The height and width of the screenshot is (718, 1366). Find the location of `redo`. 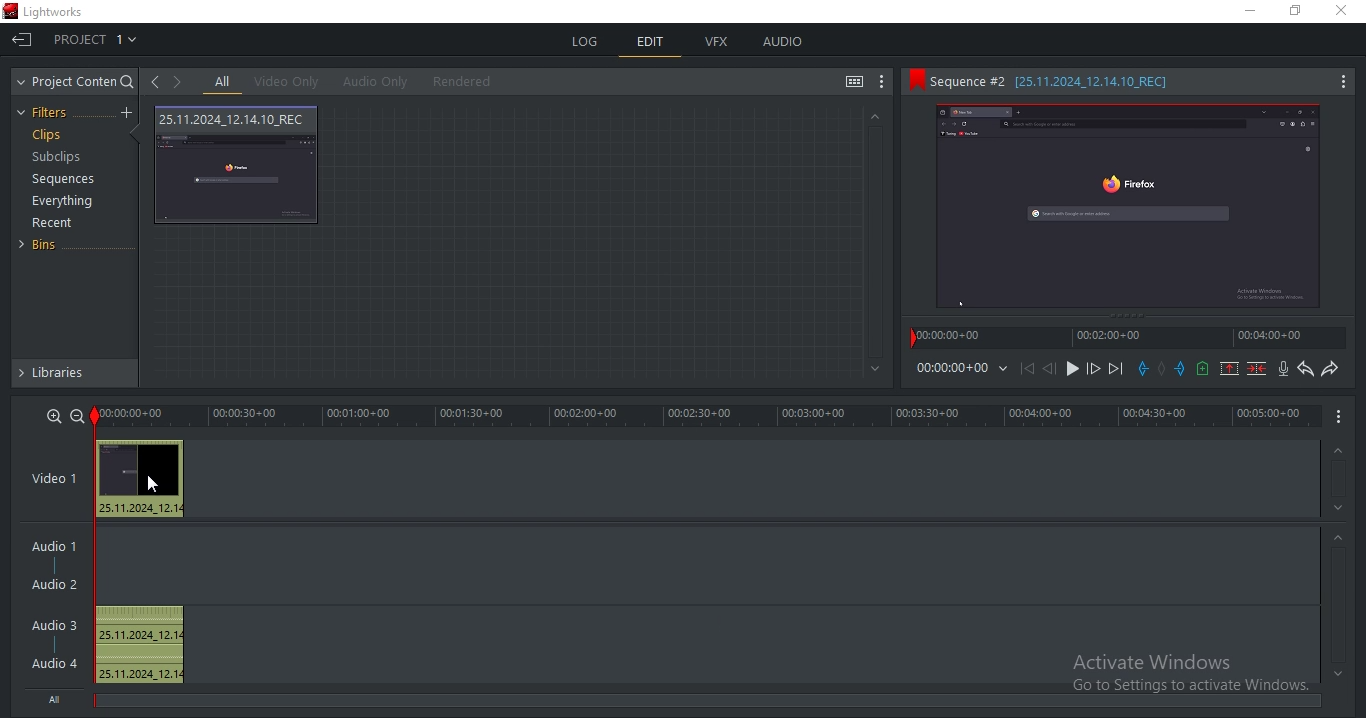

redo is located at coordinates (1330, 370).